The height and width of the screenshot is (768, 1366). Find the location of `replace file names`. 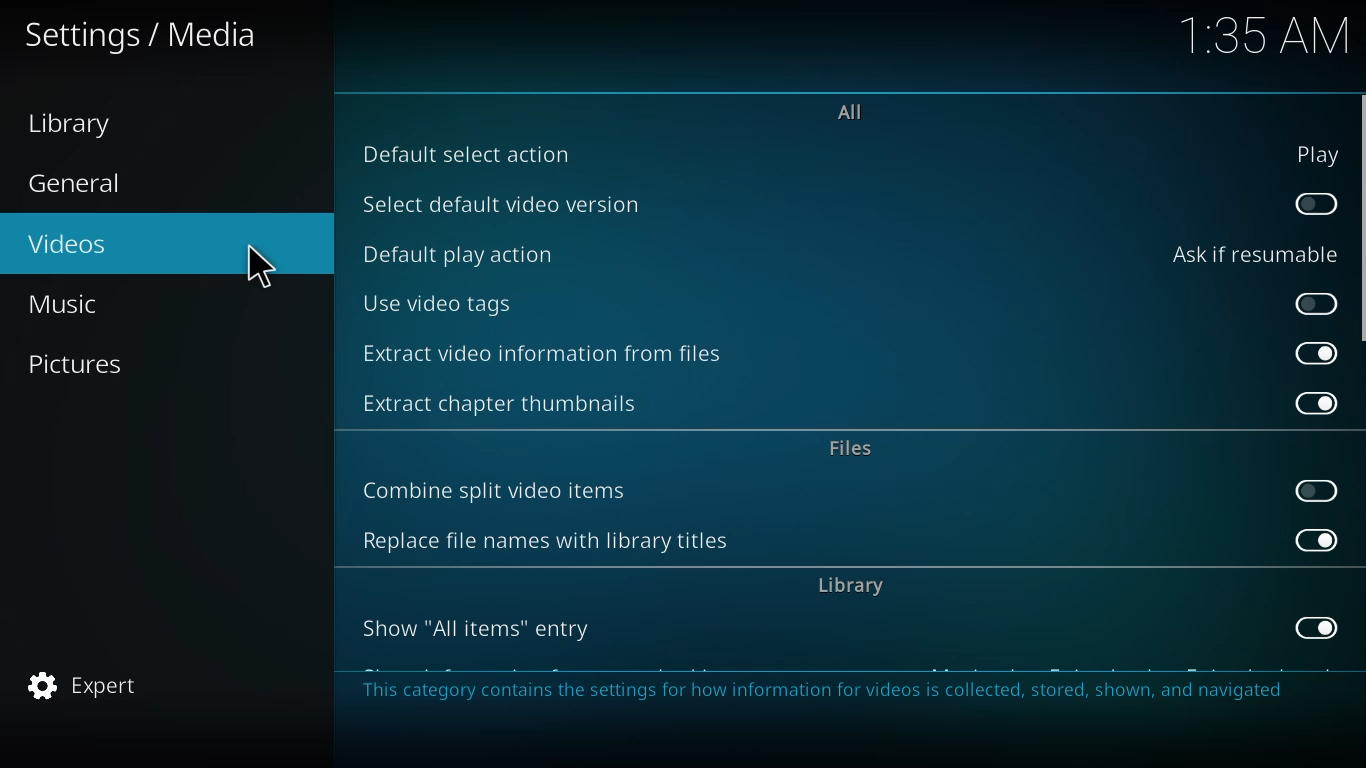

replace file names is located at coordinates (543, 542).